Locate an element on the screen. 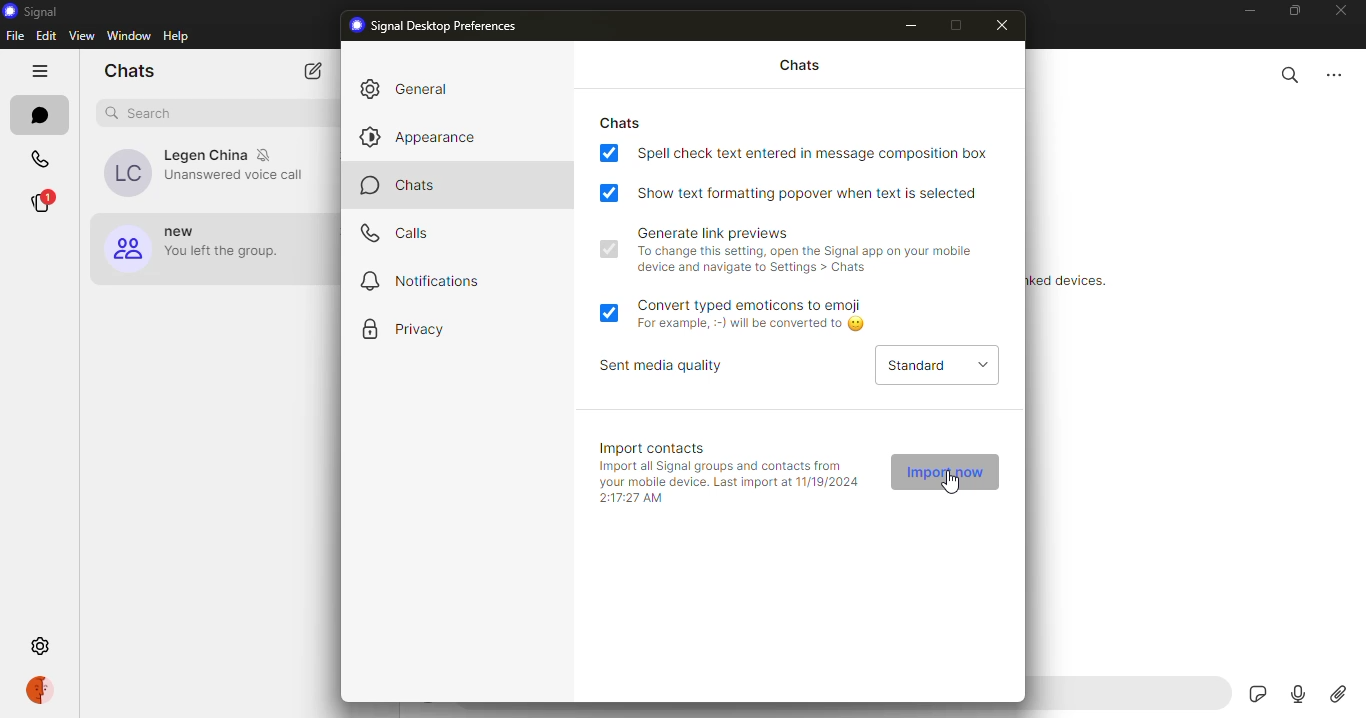 This screenshot has height=718, width=1366. chats is located at coordinates (406, 186).